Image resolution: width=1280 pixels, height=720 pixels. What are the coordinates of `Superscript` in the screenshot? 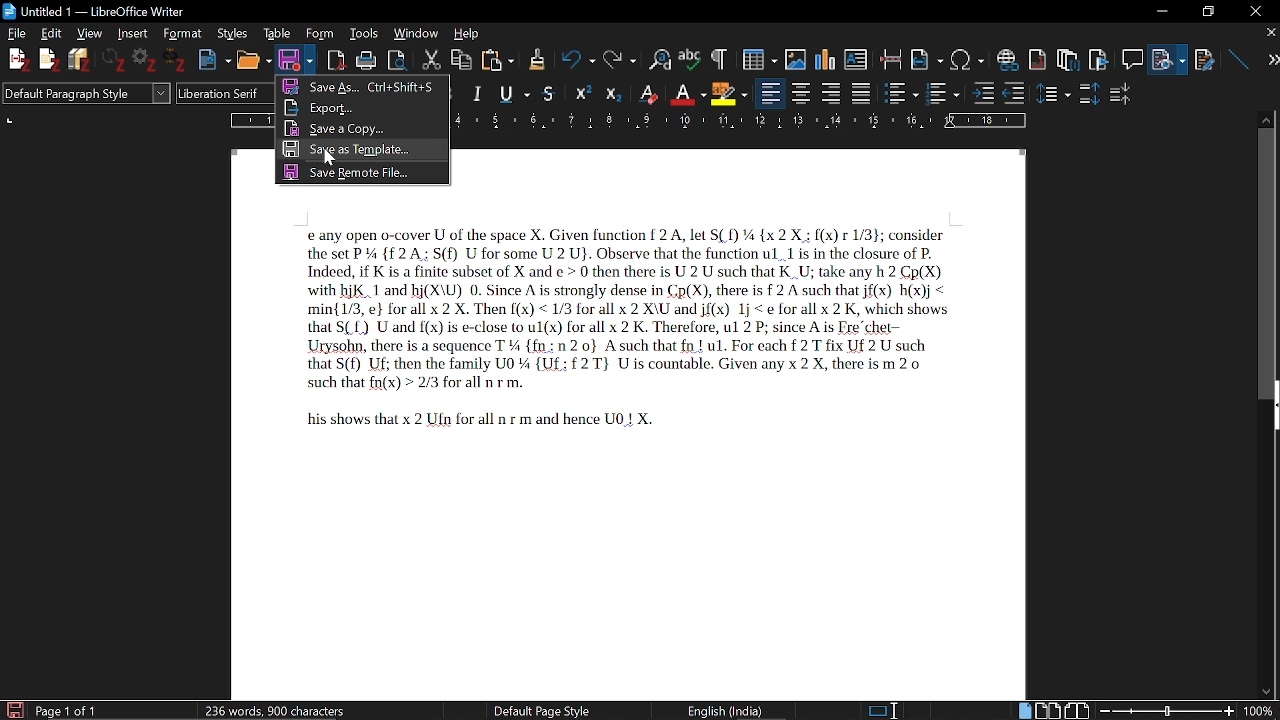 It's located at (647, 93).